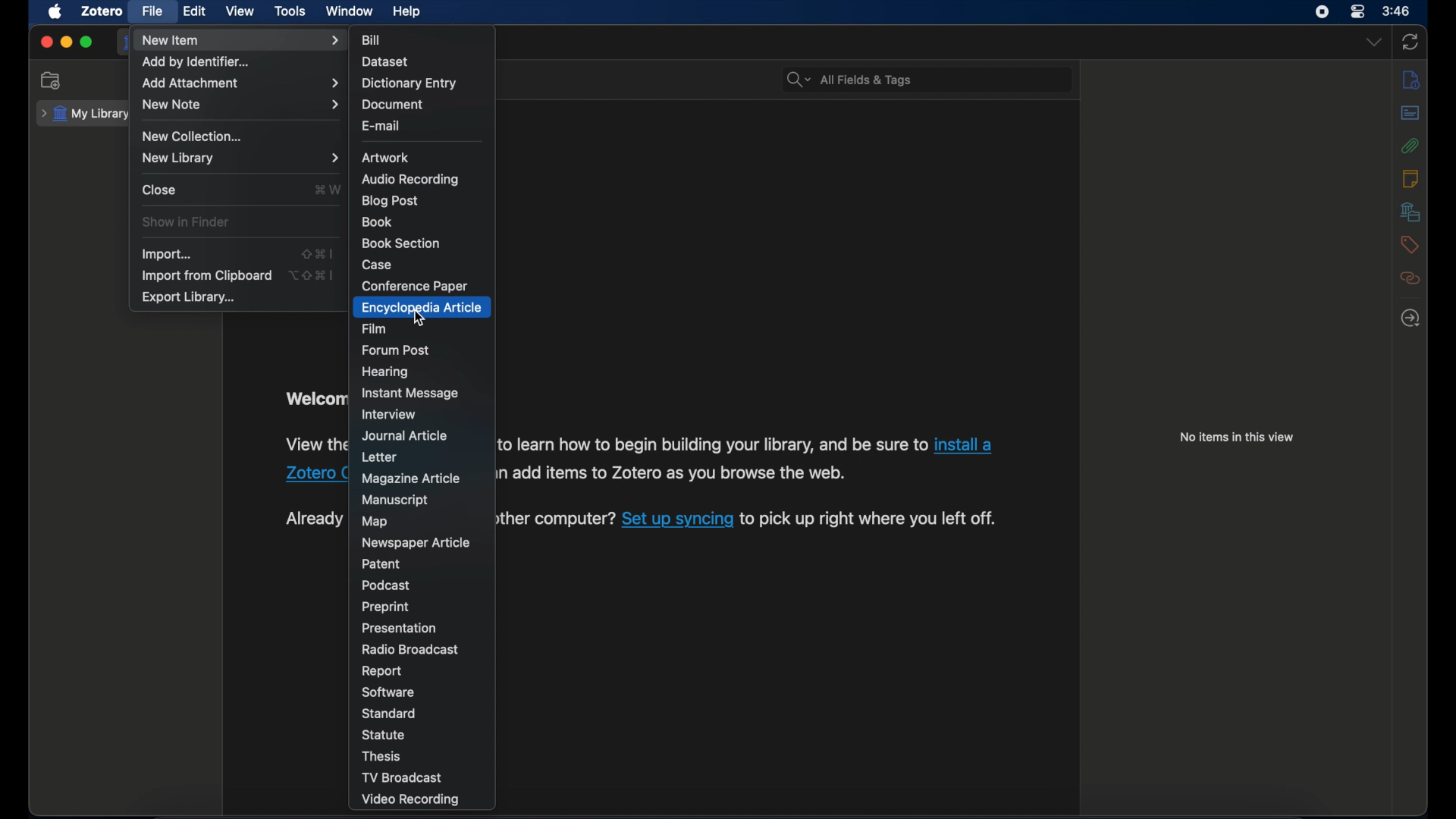 This screenshot has height=819, width=1456. Describe the element at coordinates (1409, 43) in the screenshot. I see `sync` at that location.